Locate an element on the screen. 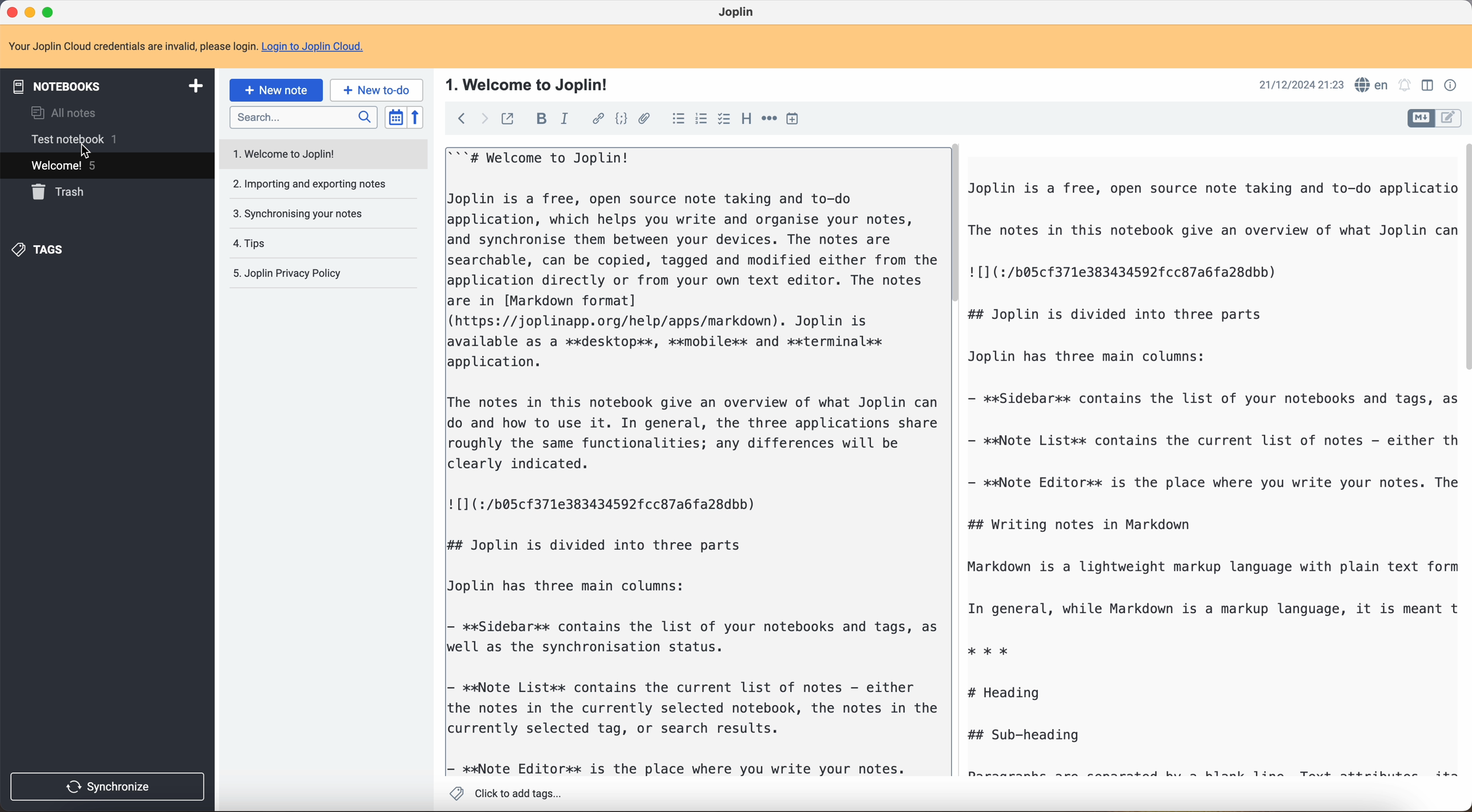 The image size is (1472, 812). horizontal rule is located at coordinates (770, 119).